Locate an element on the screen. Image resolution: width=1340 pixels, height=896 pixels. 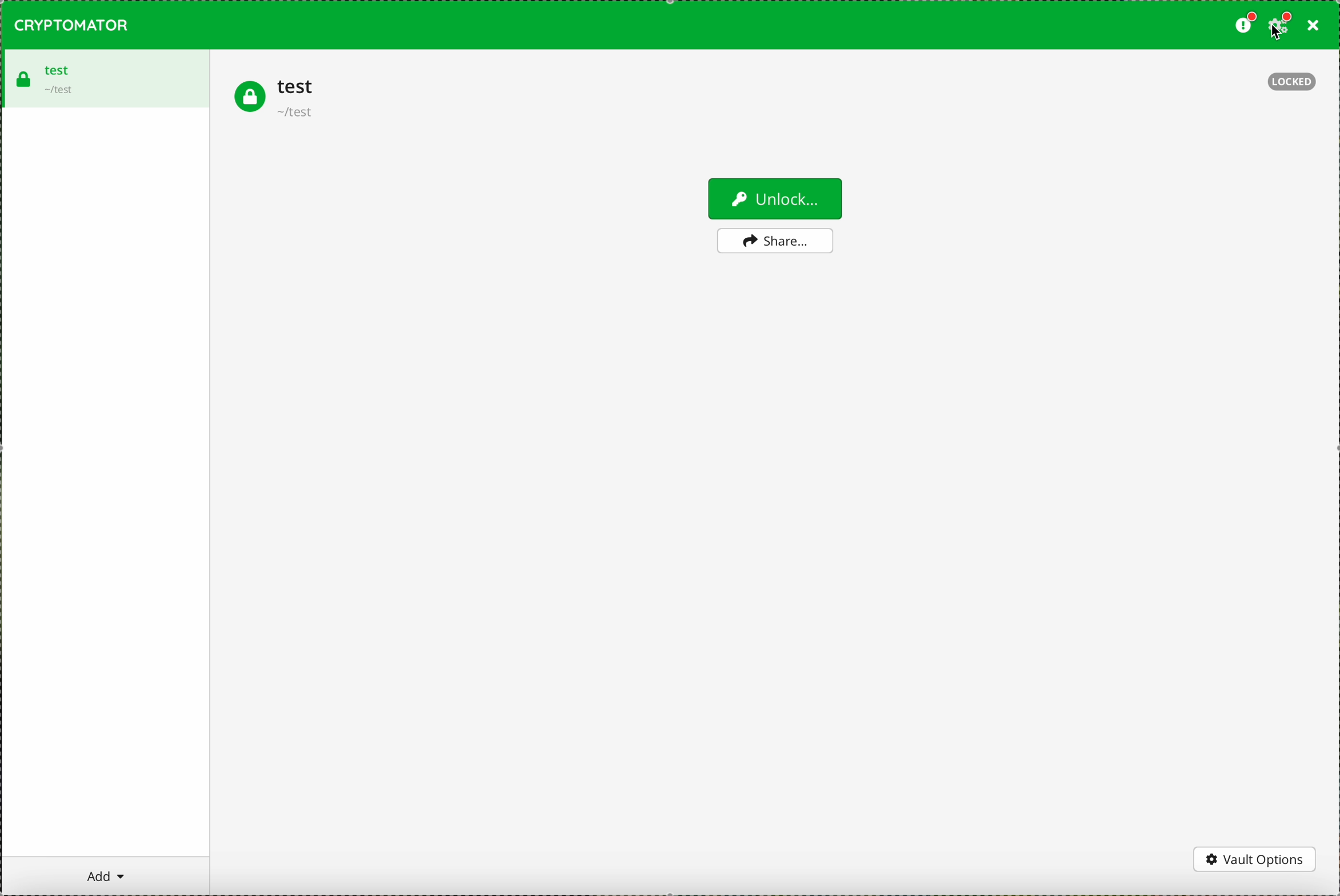
cursor is located at coordinates (1278, 38).